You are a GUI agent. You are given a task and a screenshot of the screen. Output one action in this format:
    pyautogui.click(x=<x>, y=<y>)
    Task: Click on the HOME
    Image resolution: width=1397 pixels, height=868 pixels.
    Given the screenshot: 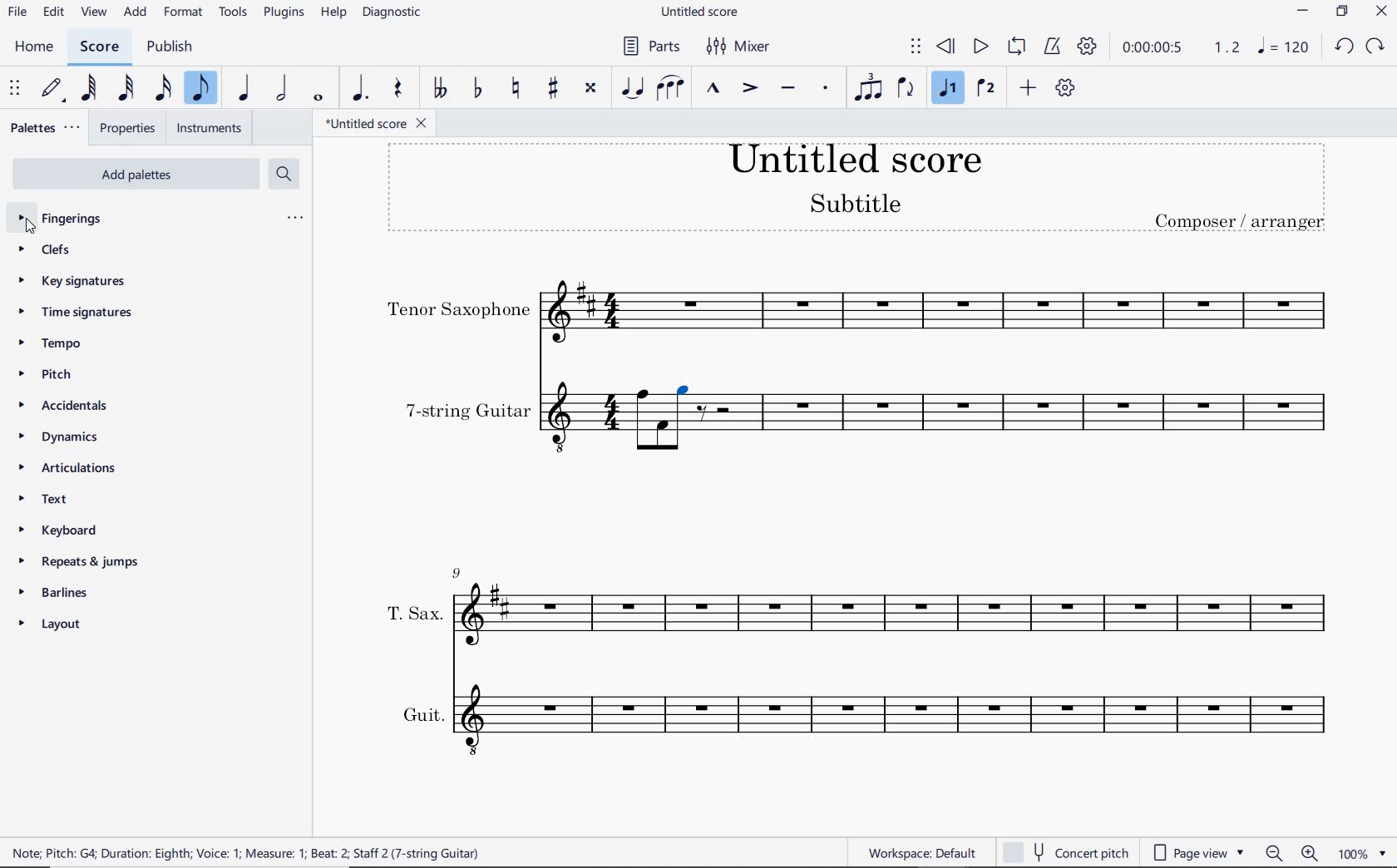 What is the action you would take?
    pyautogui.click(x=38, y=48)
    